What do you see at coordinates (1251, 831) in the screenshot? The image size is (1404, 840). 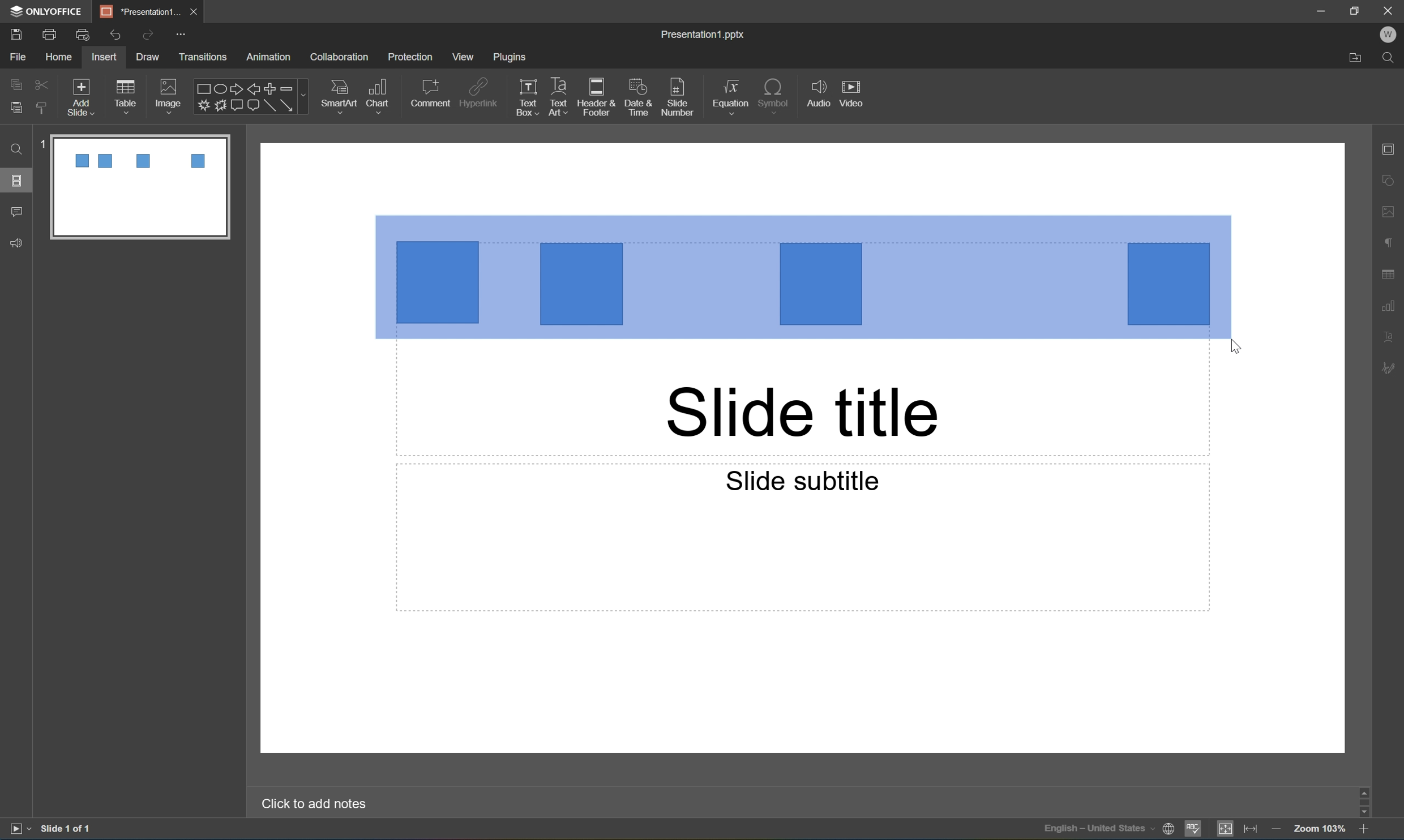 I see `fit to width` at bounding box center [1251, 831].